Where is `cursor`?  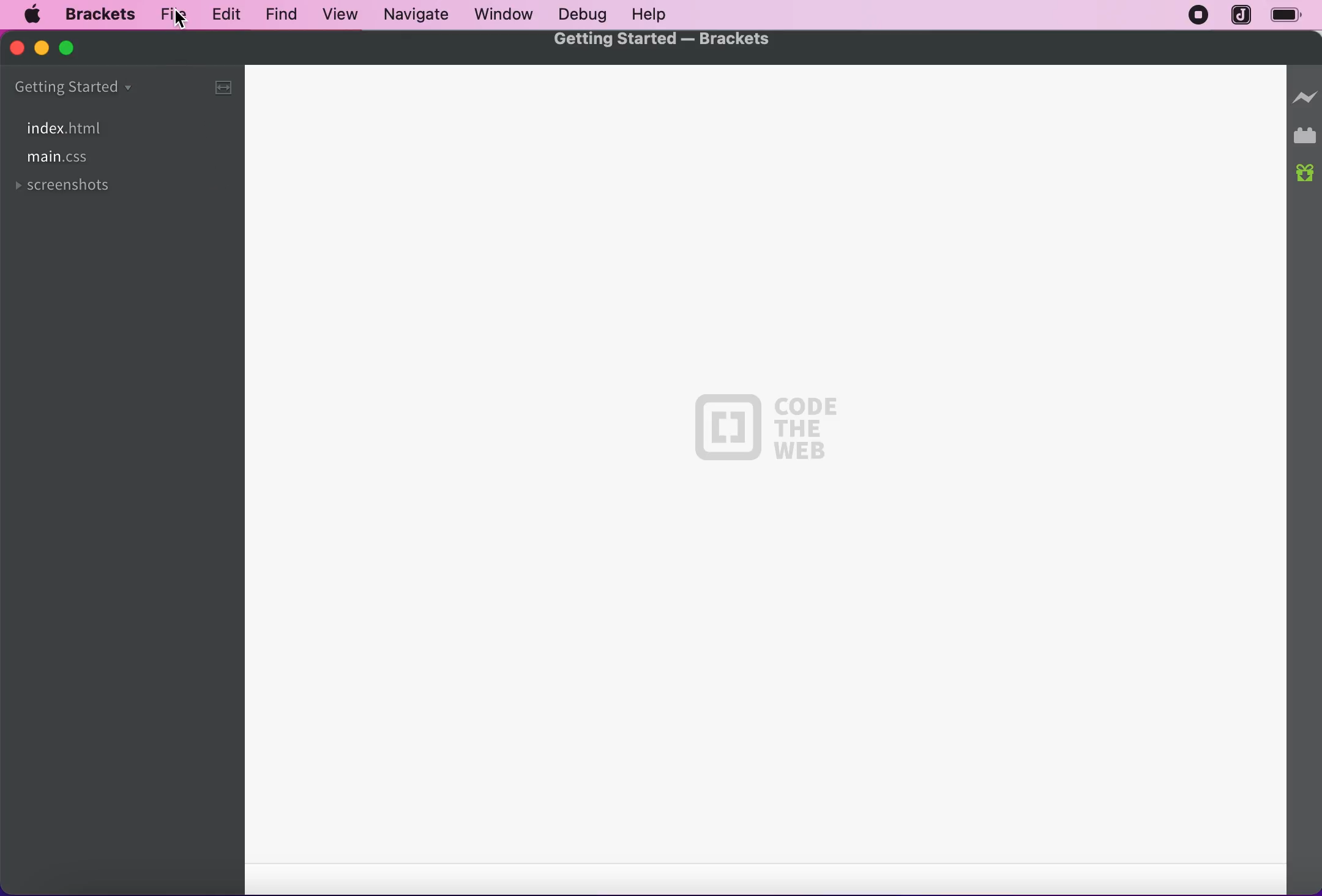
cursor is located at coordinates (181, 20).